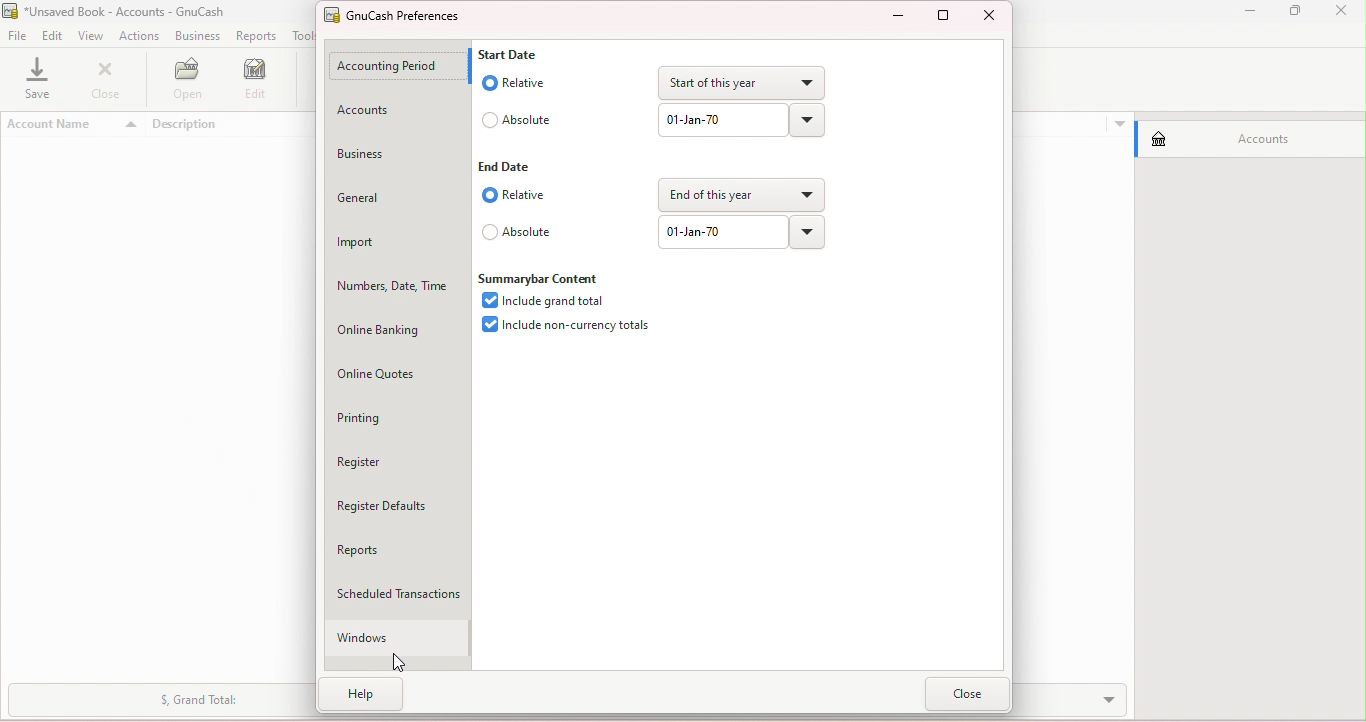 The height and width of the screenshot is (722, 1366). I want to click on cursor, so click(395, 660).